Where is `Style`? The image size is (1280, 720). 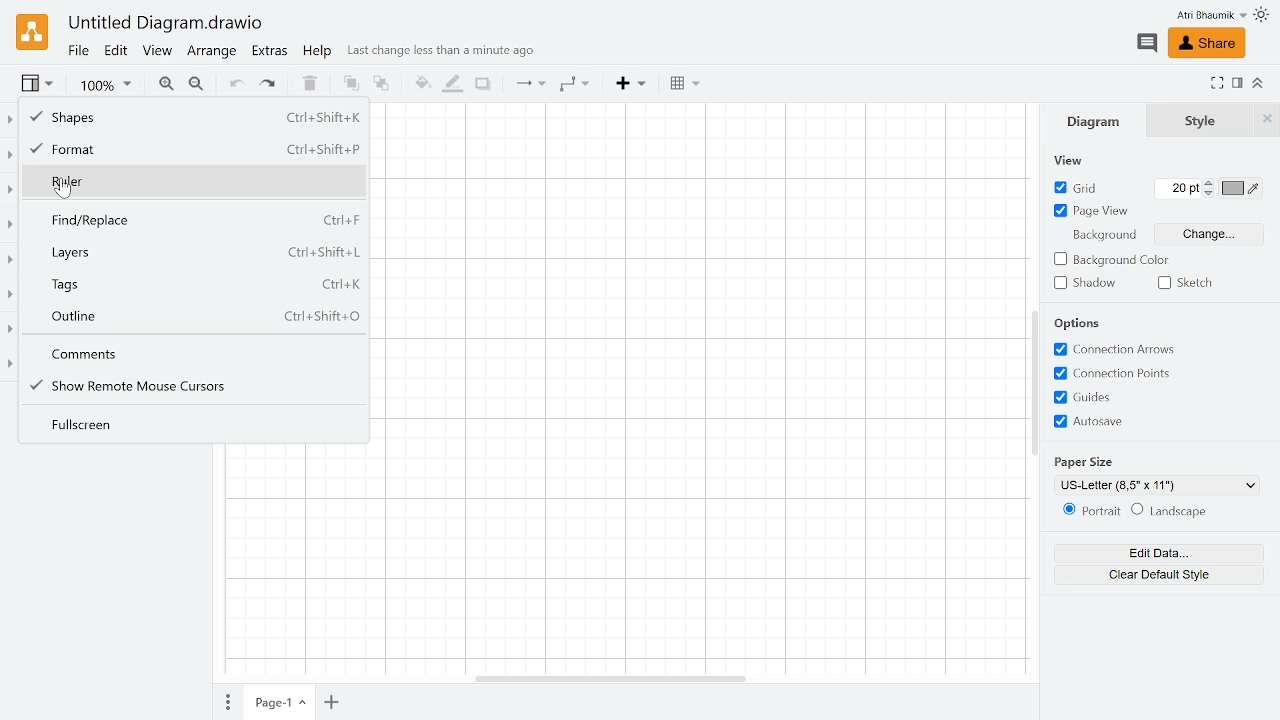
Style is located at coordinates (1202, 121).